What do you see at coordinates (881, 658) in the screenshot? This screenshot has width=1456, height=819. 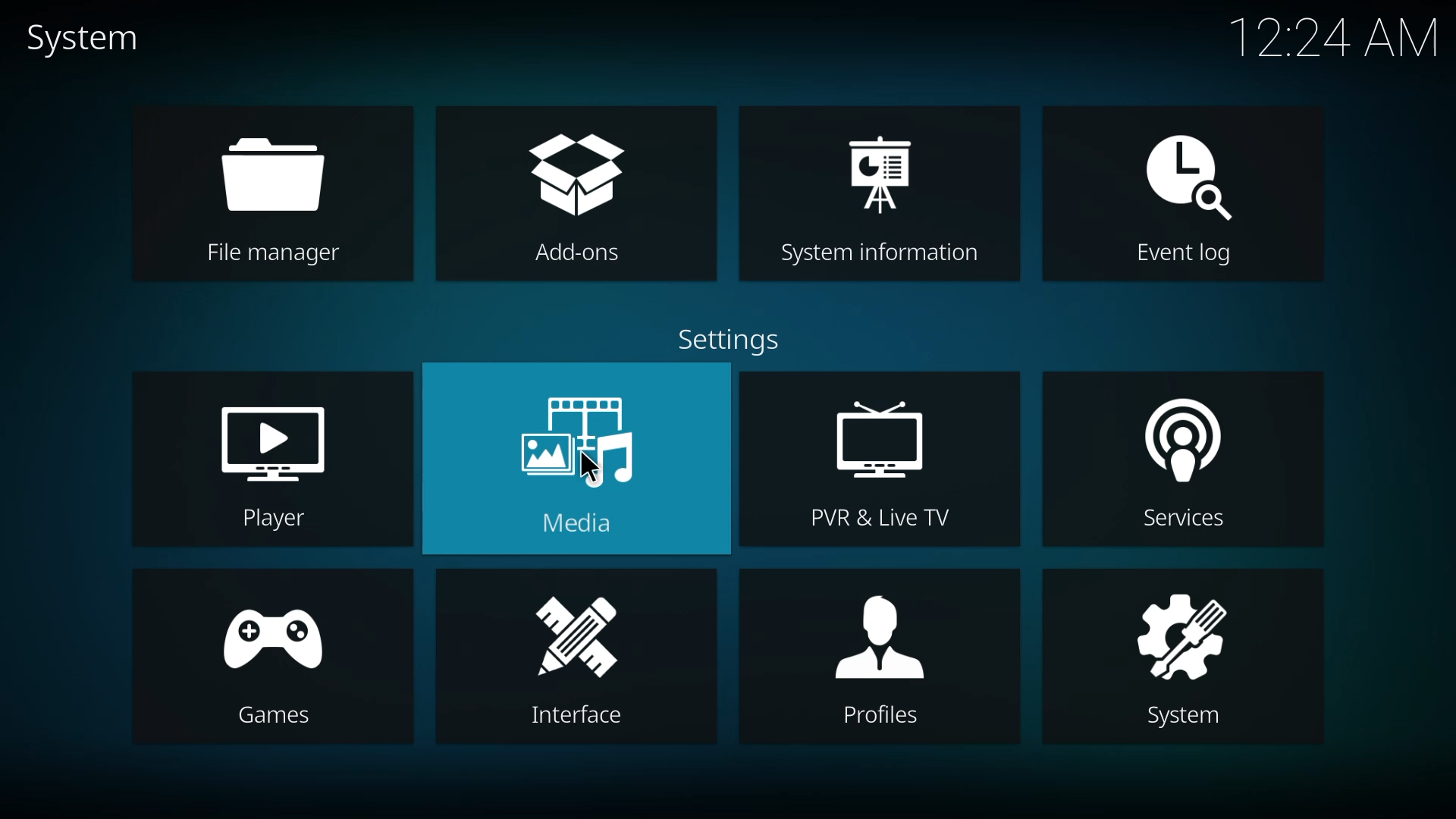 I see `profiles` at bounding box center [881, 658].